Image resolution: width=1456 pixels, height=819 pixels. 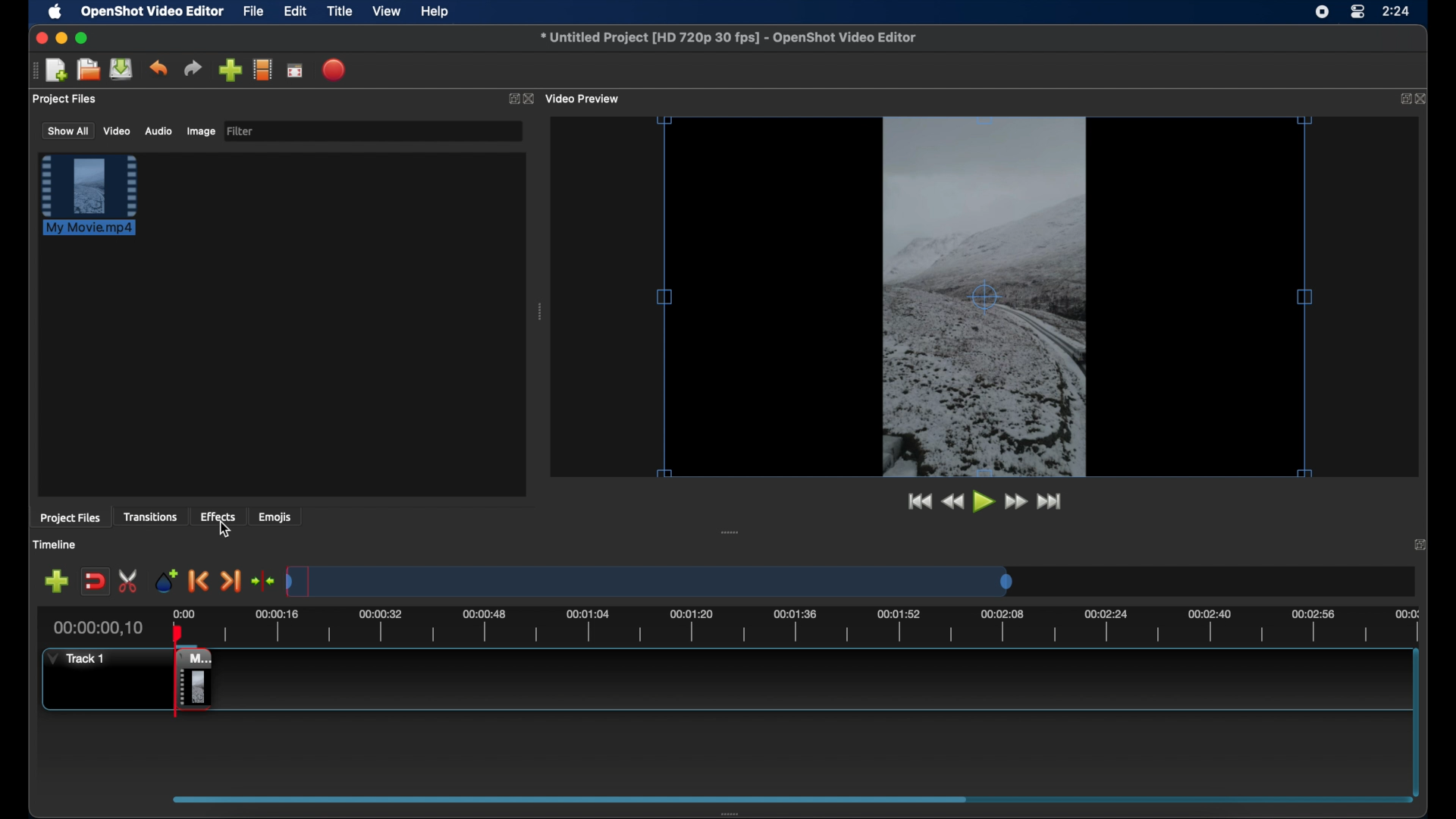 I want to click on emojis, so click(x=277, y=517).